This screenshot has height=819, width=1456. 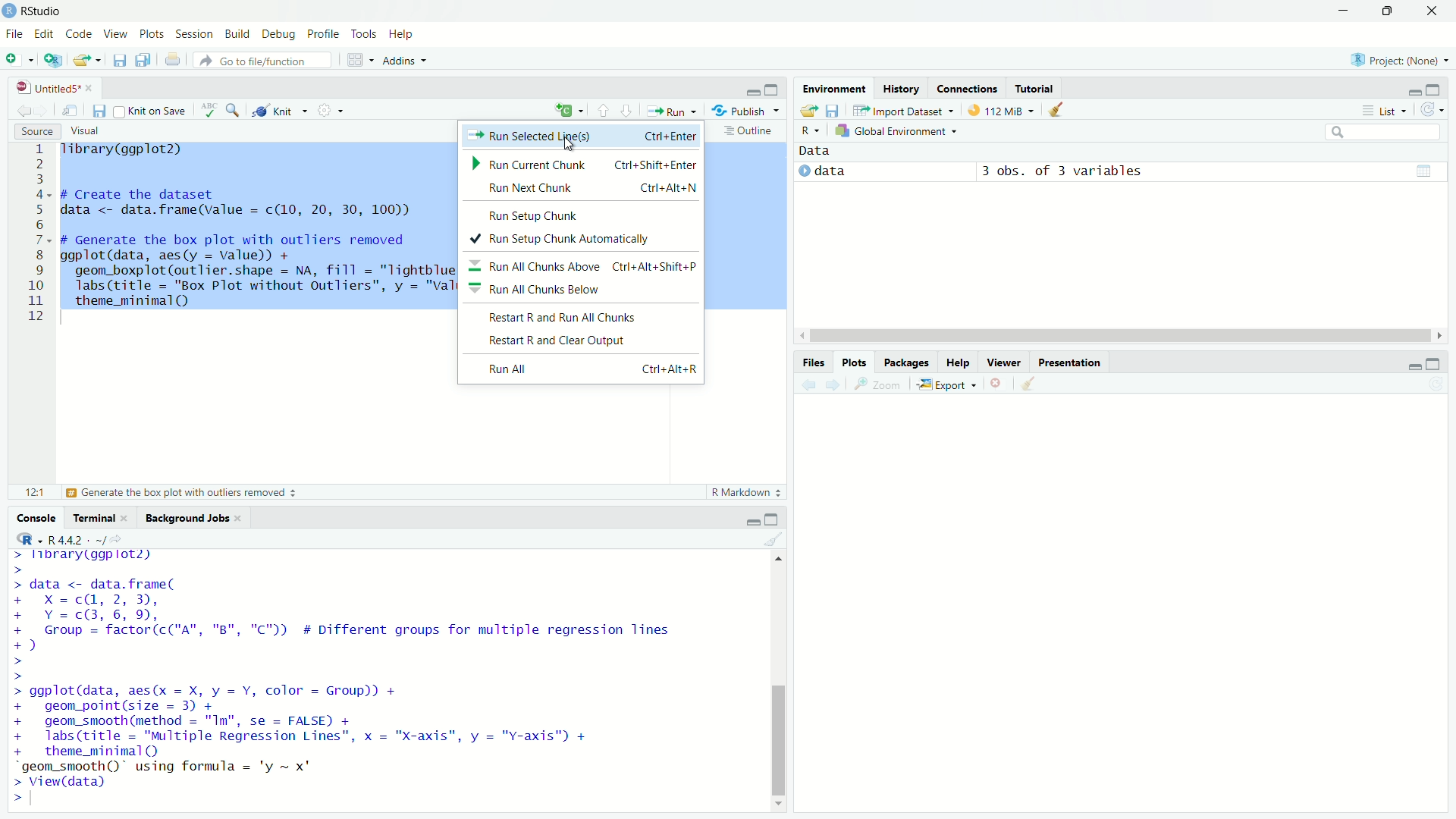 What do you see at coordinates (38, 130) in the screenshot?
I see `Source` at bounding box center [38, 130].